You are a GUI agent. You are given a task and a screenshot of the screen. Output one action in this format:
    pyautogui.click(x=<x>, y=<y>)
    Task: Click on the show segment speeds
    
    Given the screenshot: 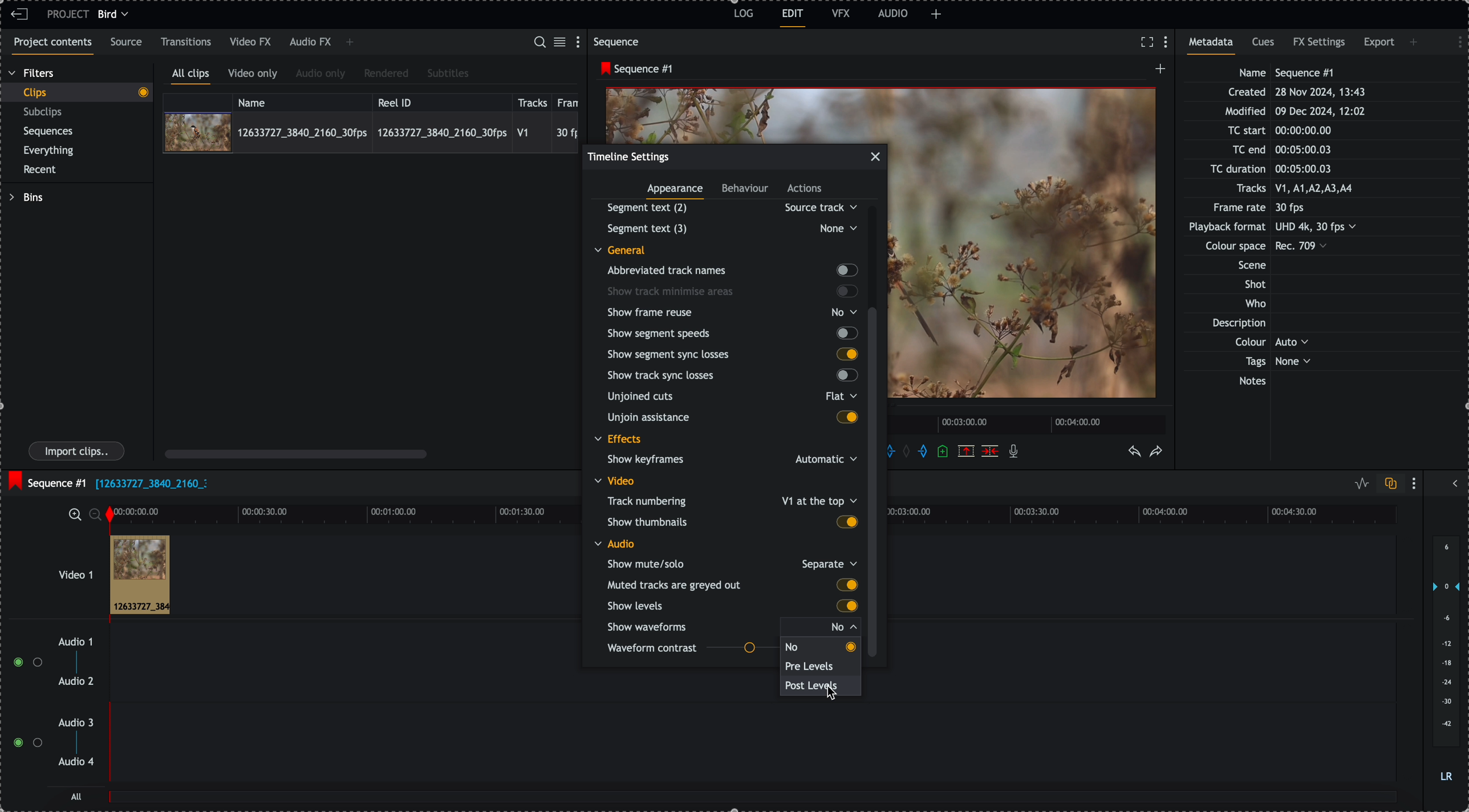 What is the action you would take?
    pyautogui.click(x=731, y=333)
    